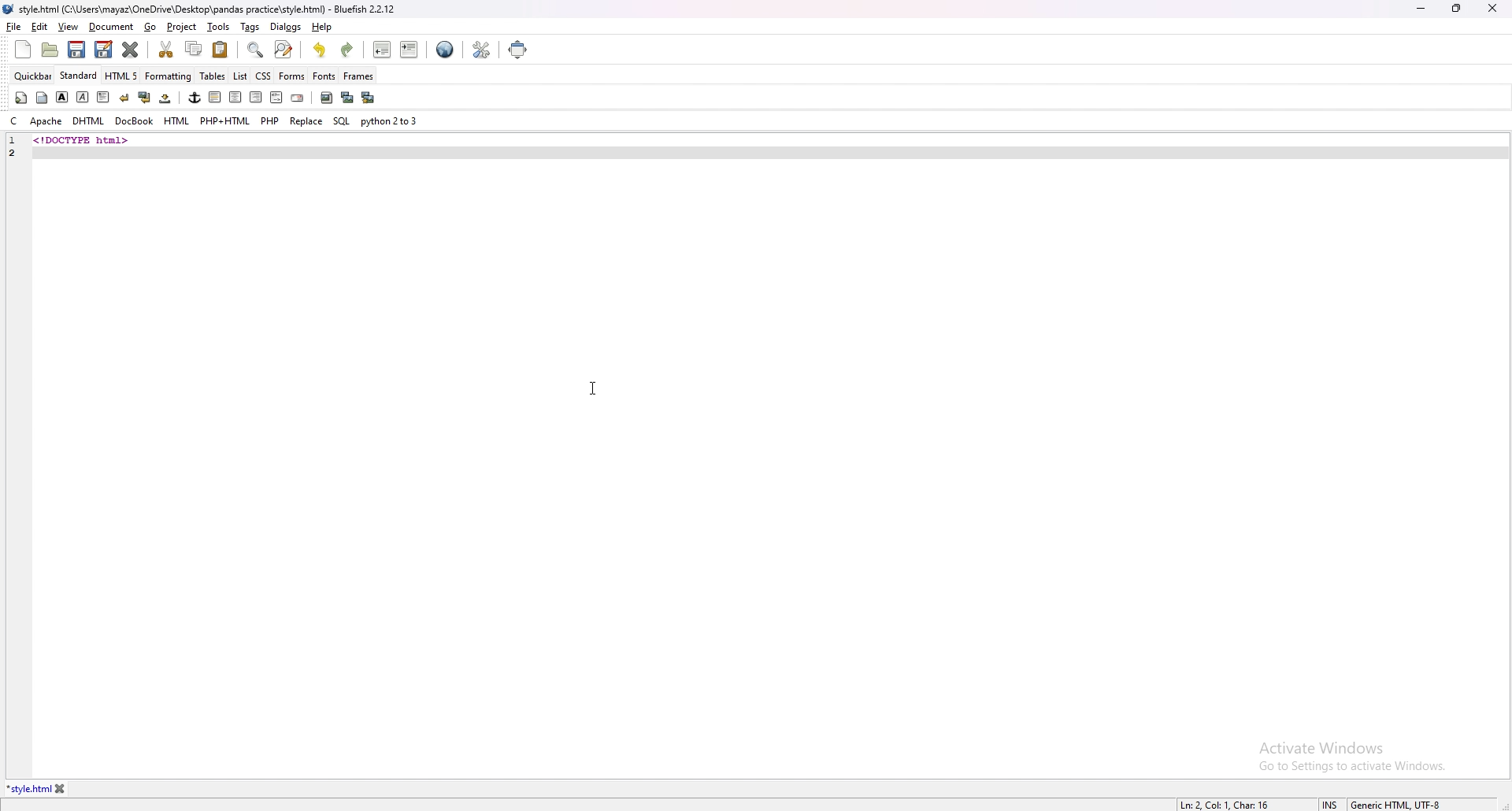 This screenshot has width=1512, height=811. Describe the element at coordinates (321, 50) in the screenshot. I see `undo` at that location.